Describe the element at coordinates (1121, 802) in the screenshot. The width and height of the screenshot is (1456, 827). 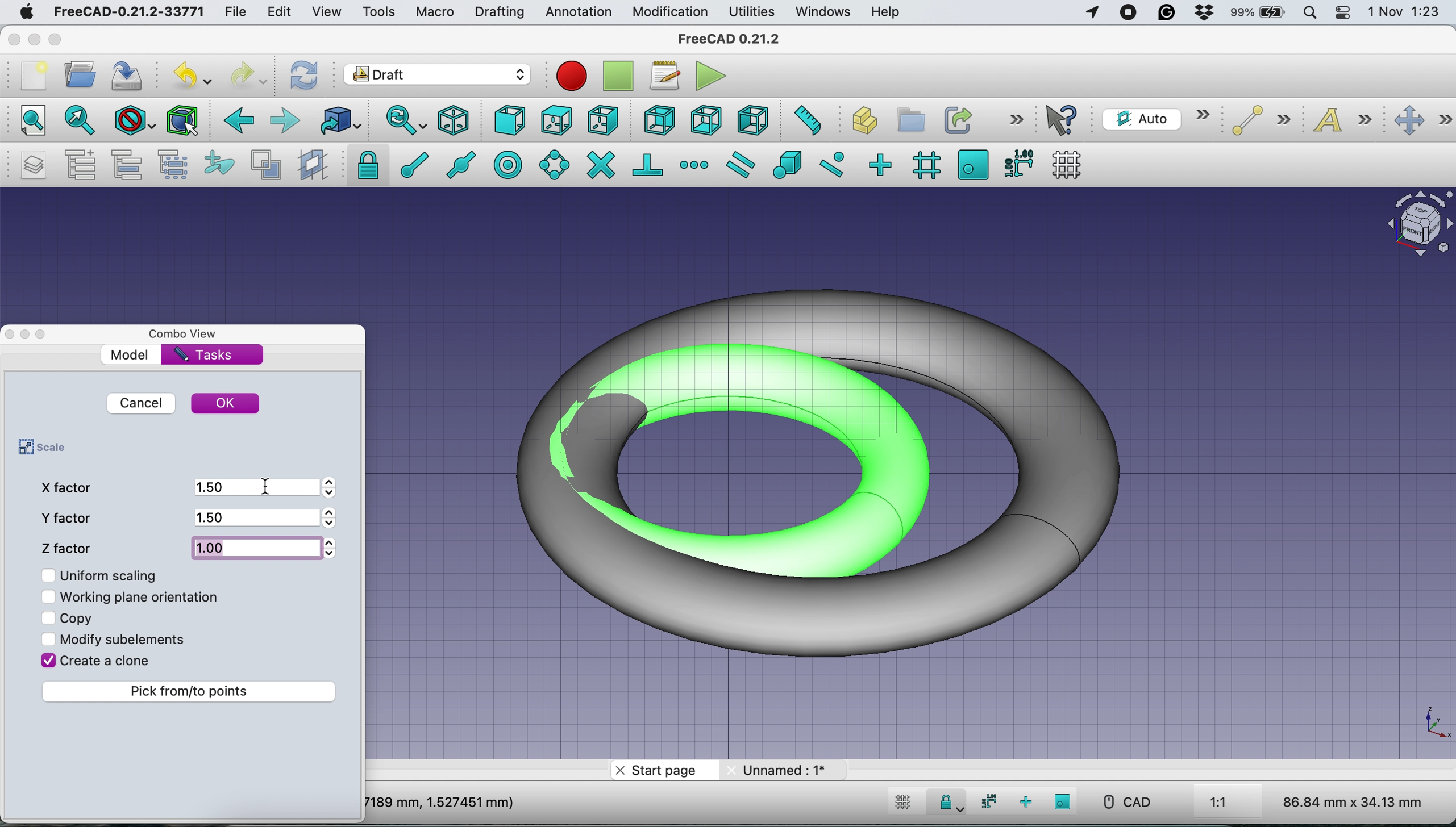
I see `CAD` at that location.